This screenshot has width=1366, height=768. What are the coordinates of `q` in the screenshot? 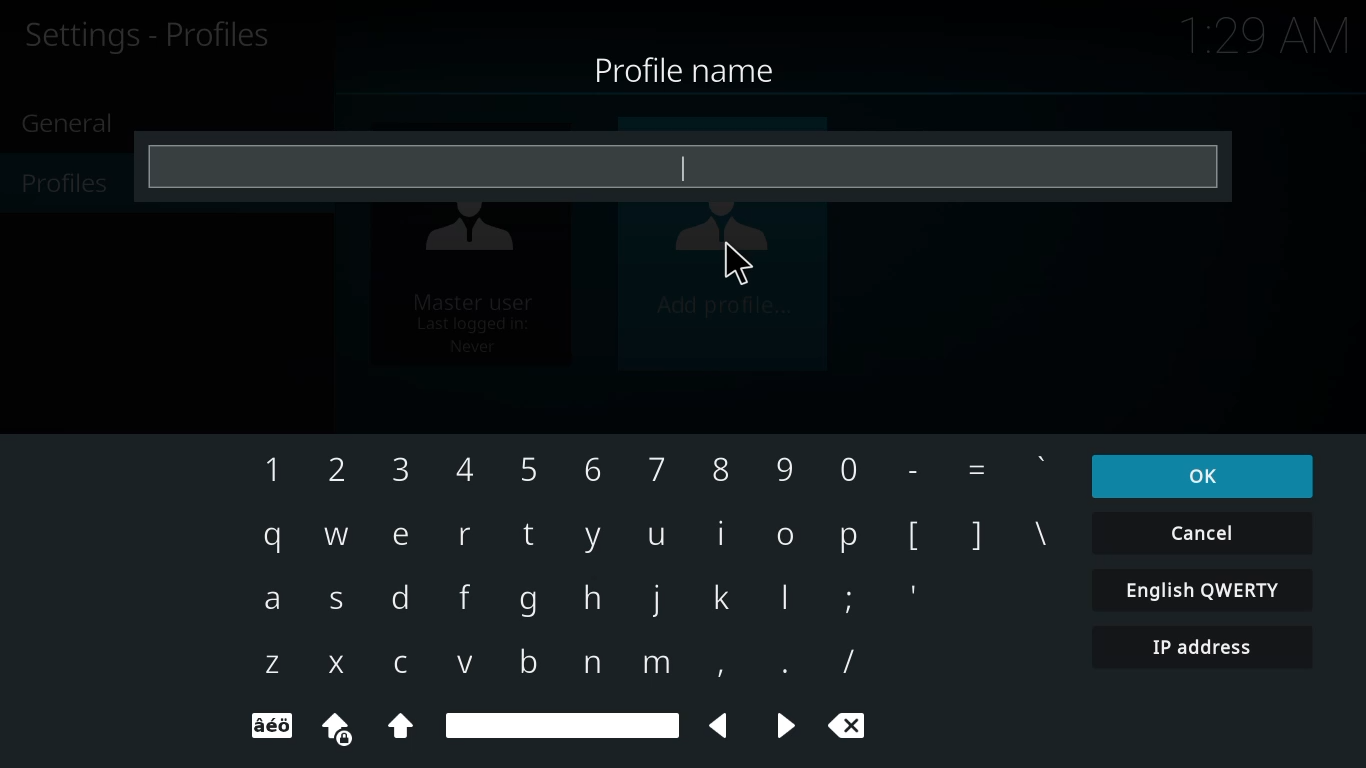 It's located at (264, 539).